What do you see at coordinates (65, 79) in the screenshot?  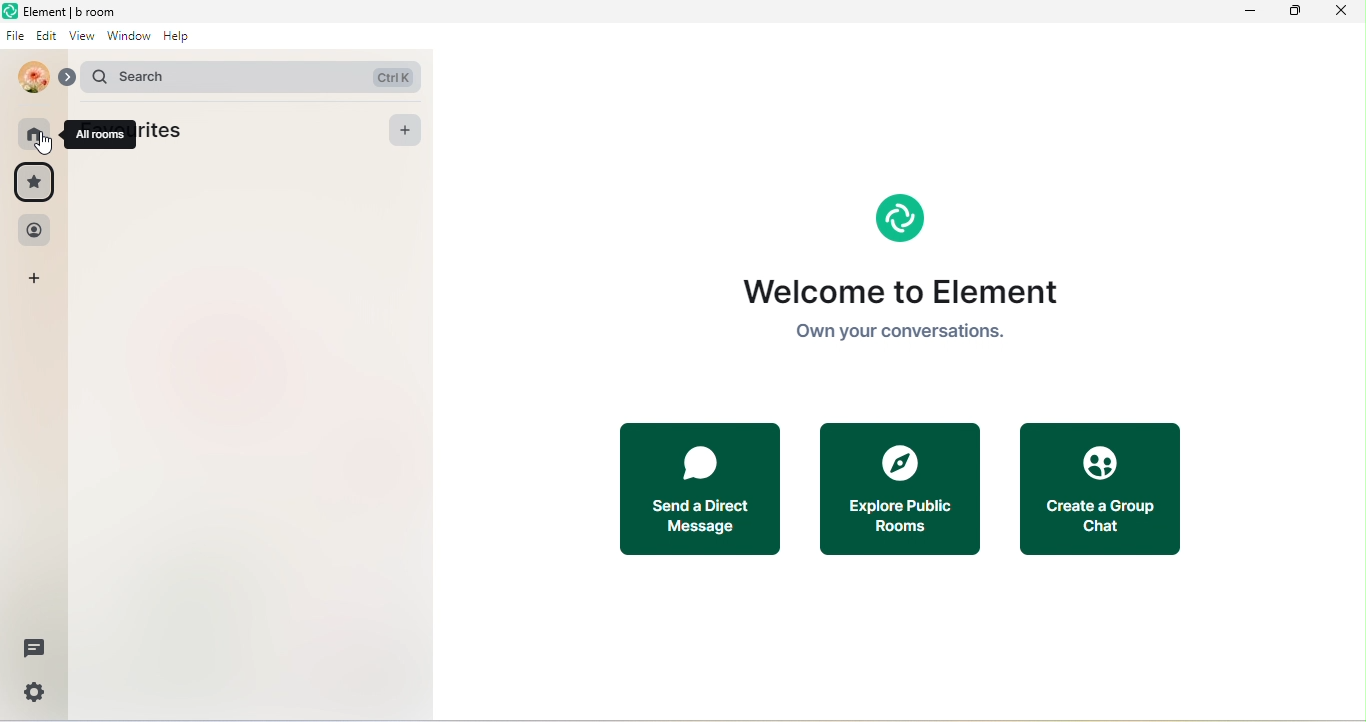 I see `expand` at bounding box center [65, 79].